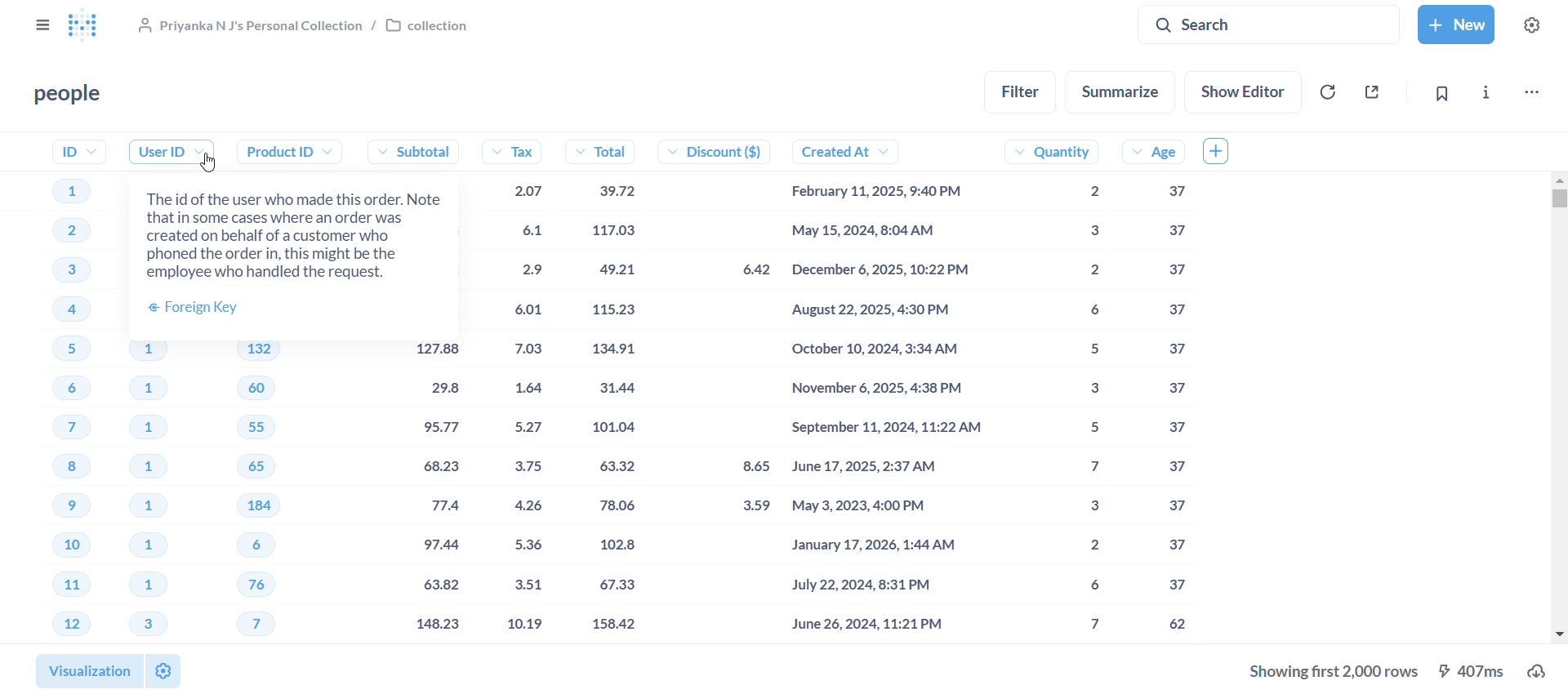 The height and width of the screenshot is (694, 1568). What do you see at coordinates (292, 387) in the screenshot?
I see `product ID's` at bounding box center [292, 387].